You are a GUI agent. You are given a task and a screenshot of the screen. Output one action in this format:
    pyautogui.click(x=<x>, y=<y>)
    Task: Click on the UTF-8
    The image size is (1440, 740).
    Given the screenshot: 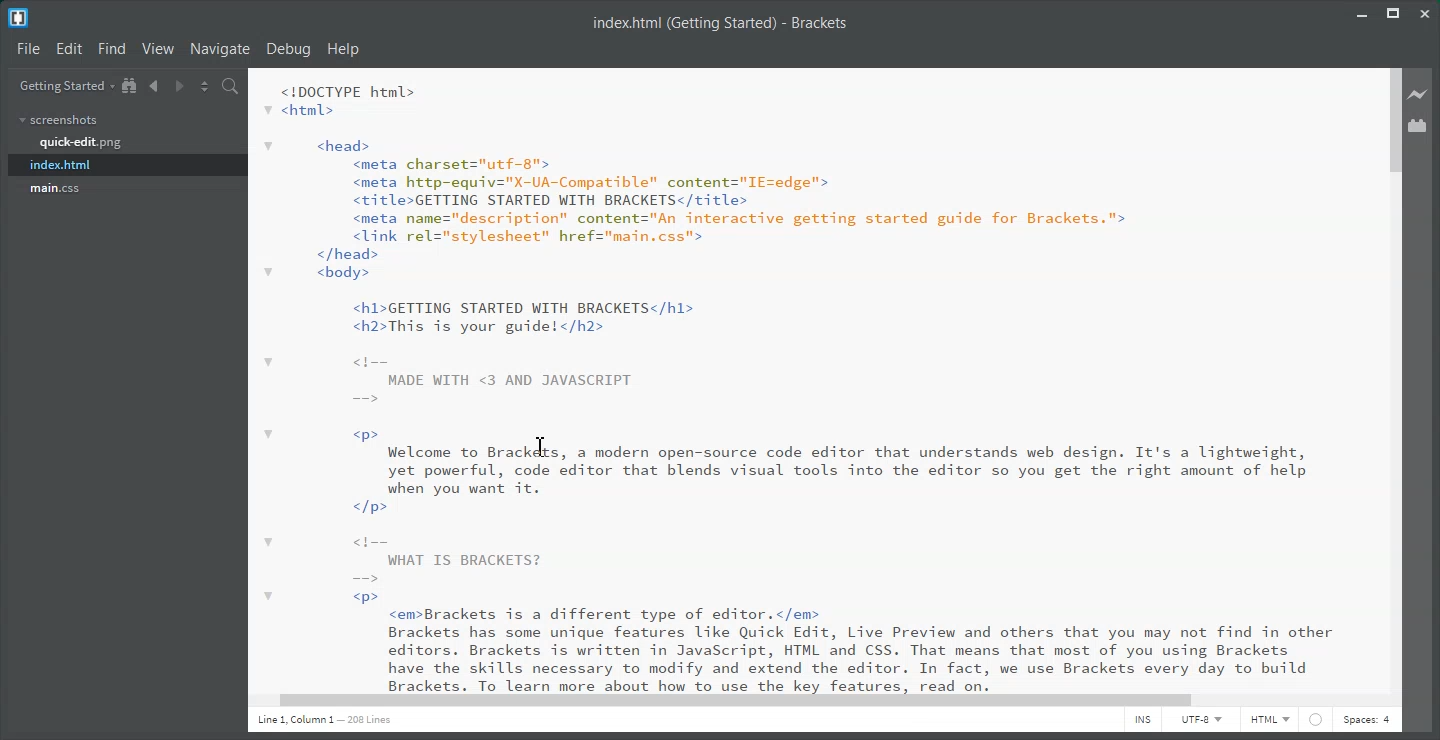 What is the action you would take?
    pyautogui.click(x=1202, y=721)
    